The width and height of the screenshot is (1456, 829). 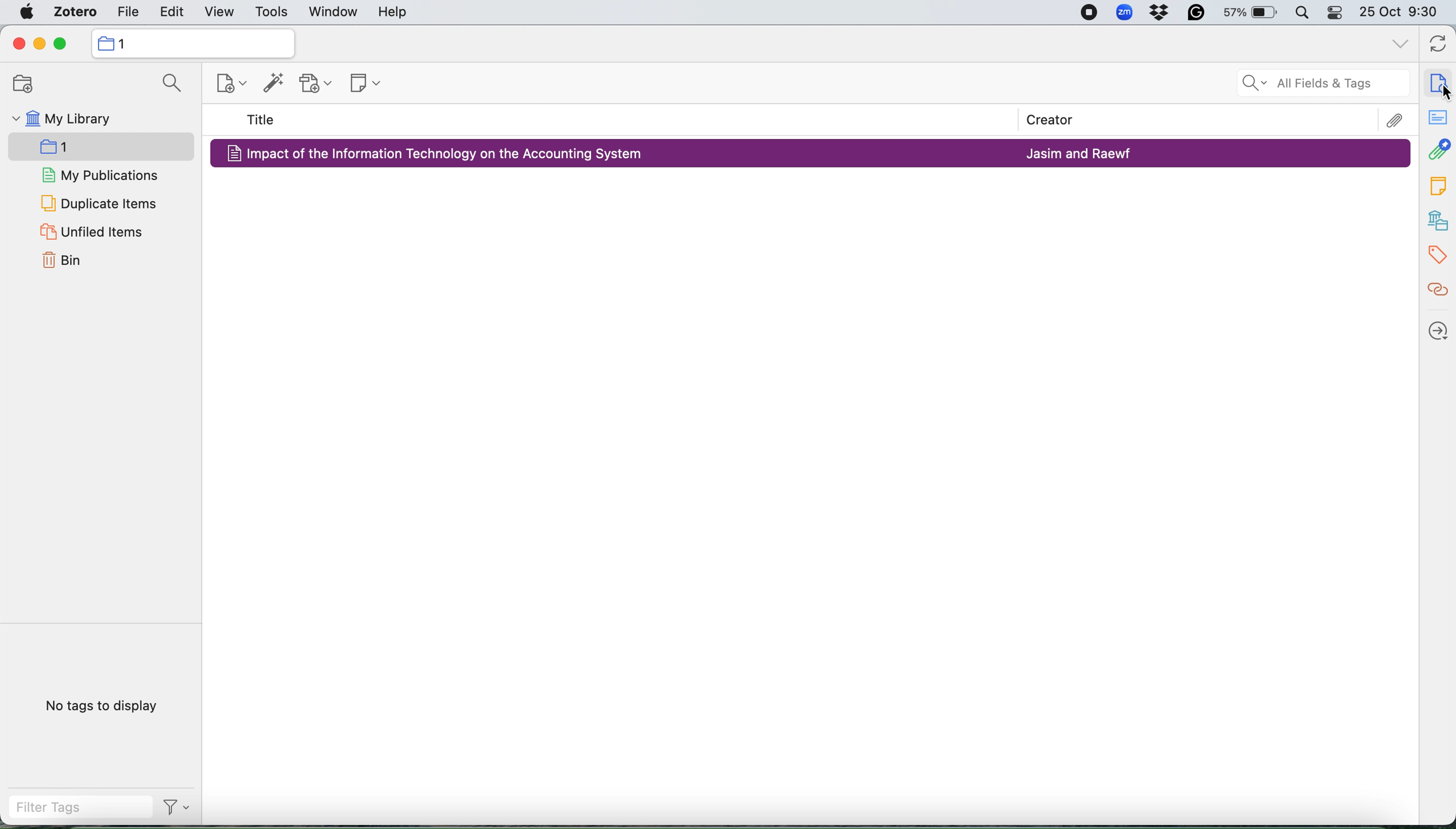 What do you see at coordinates (1443, 88) in the screenshot?
I see `cursor` at bounding box center [1443, 88].